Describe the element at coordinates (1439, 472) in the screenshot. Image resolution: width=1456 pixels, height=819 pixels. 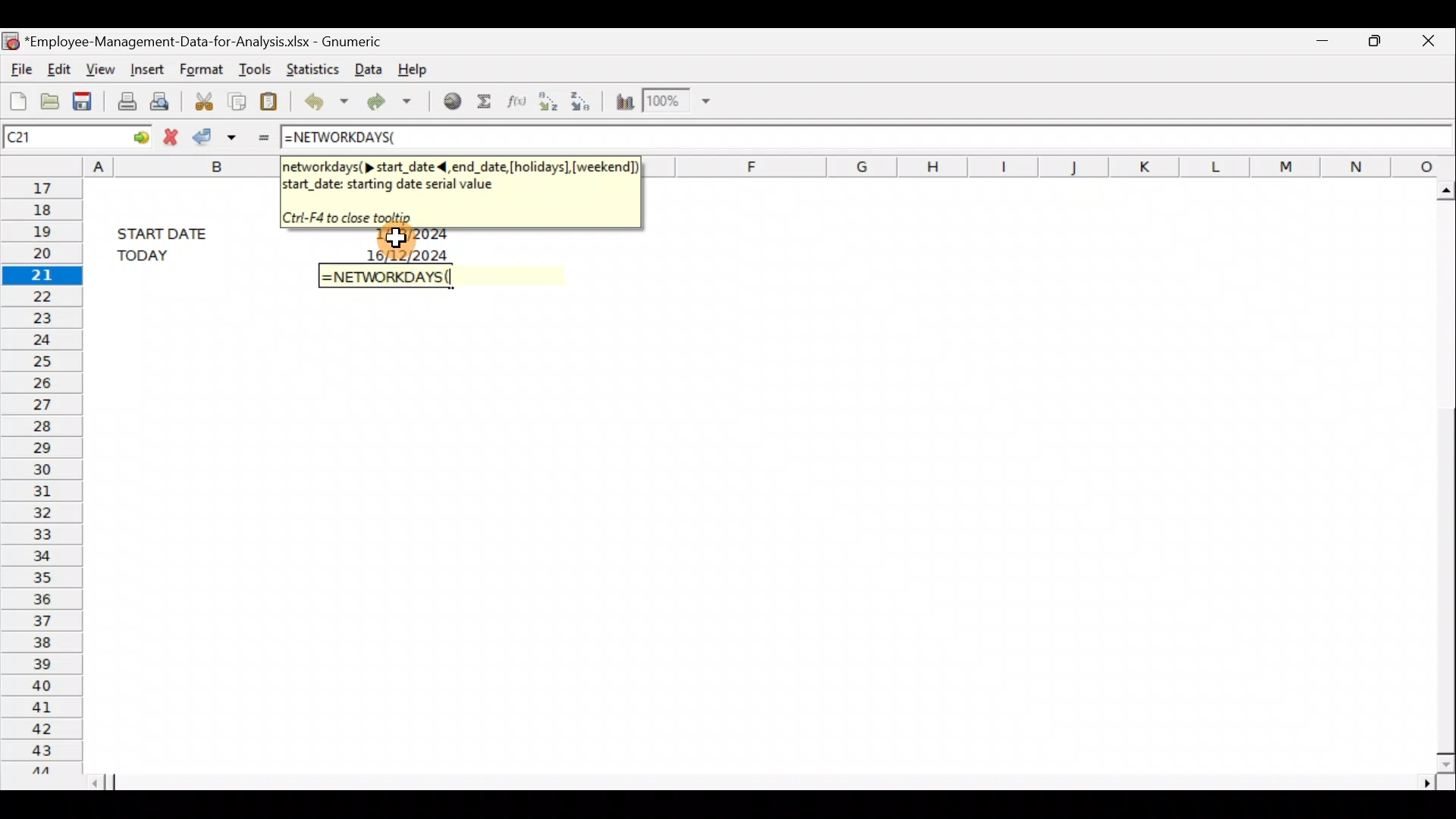
I see `Scroll bar` at that location.